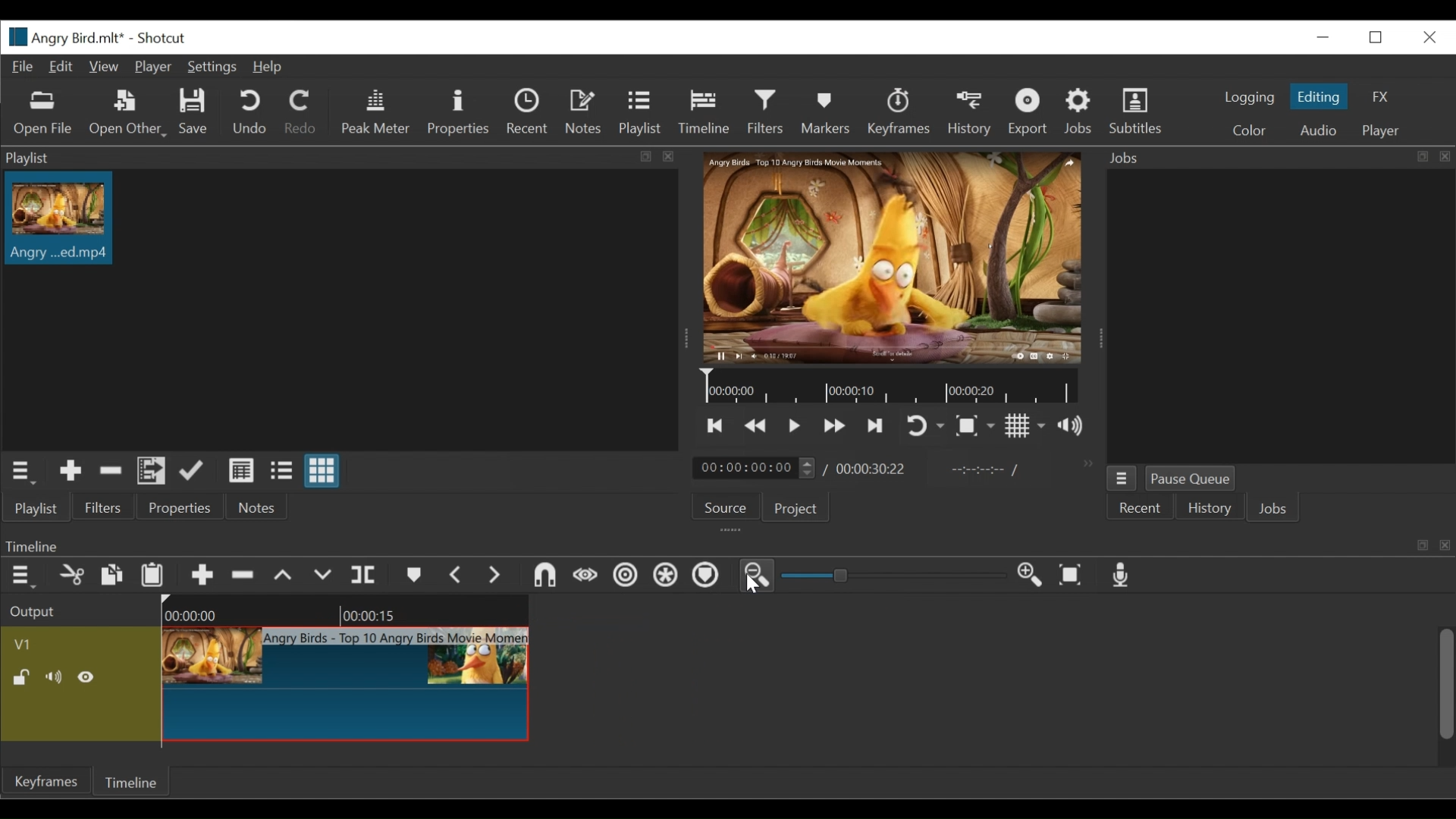 The image size is (1456, 819). What do you see at coordinates (322, 472) in the screenshot?
I see `View as icons` at bounding box center [322, 472].